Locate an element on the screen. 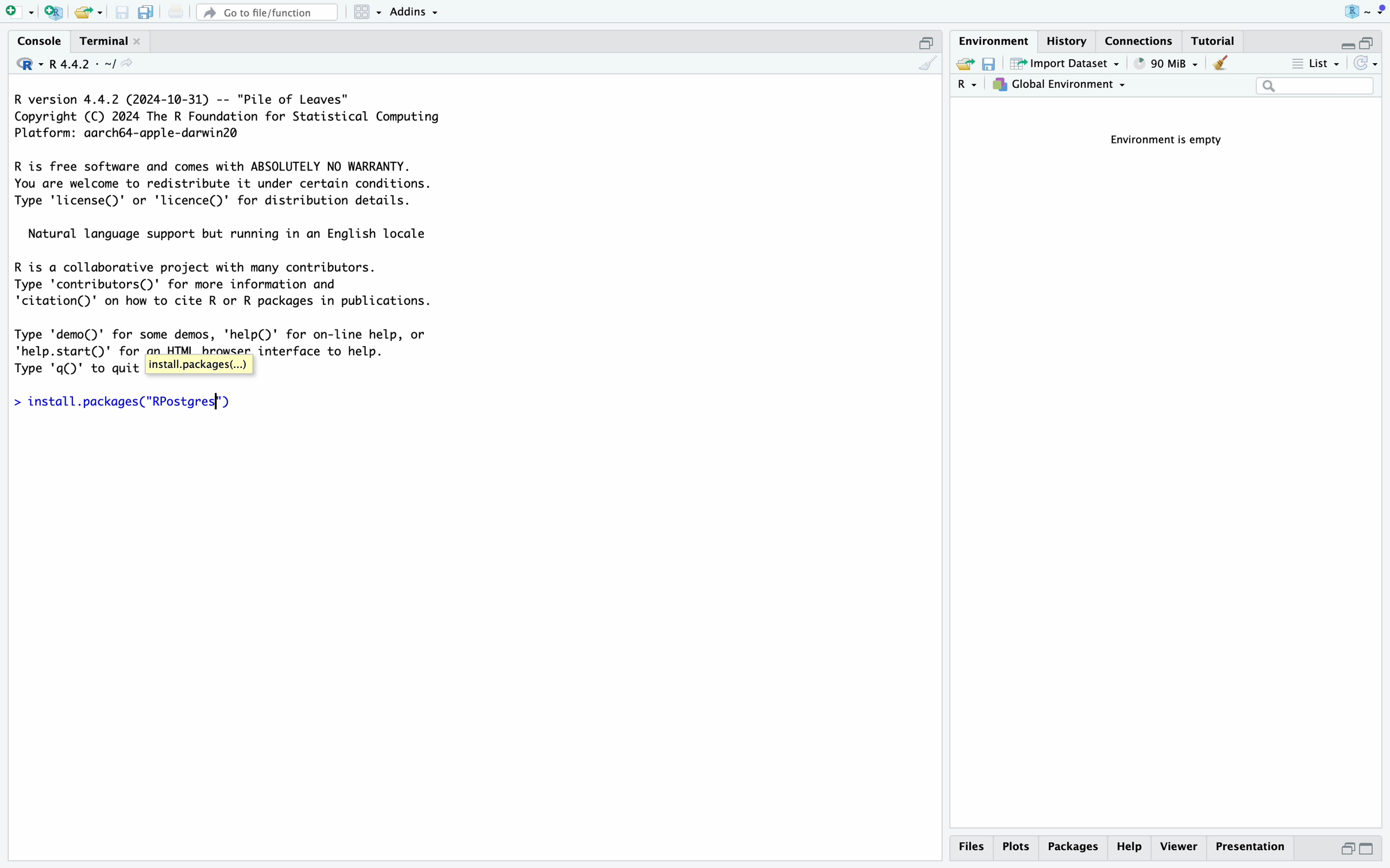 Image resolution: width=1390 pixels, height=868 pixels. list is located at coordinates (1314, 65).